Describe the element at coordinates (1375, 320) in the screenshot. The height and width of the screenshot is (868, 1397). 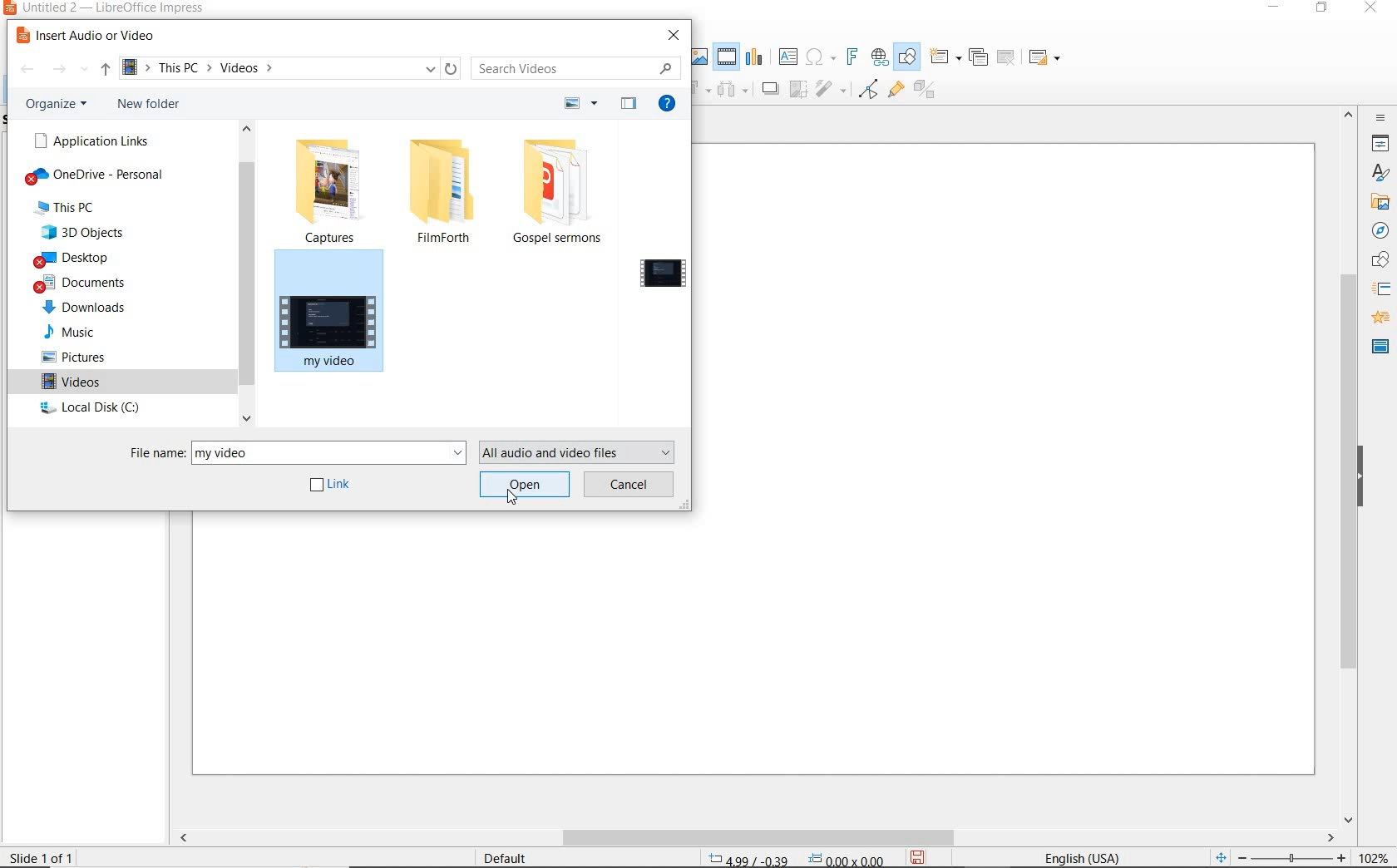
I see `animation` at that location.